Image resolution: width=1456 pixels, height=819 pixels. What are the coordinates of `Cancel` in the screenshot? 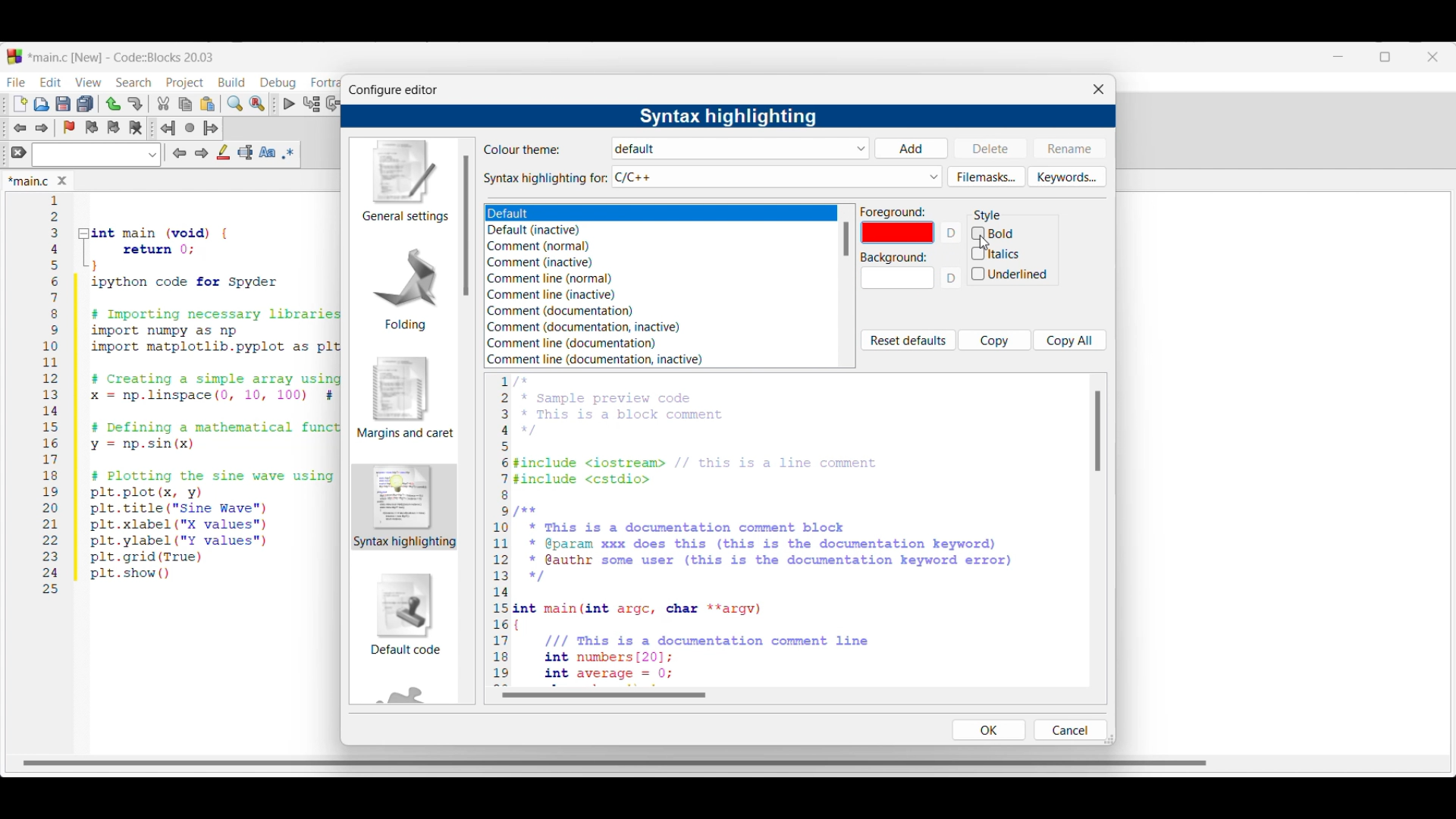 It's located at (1068, 730).